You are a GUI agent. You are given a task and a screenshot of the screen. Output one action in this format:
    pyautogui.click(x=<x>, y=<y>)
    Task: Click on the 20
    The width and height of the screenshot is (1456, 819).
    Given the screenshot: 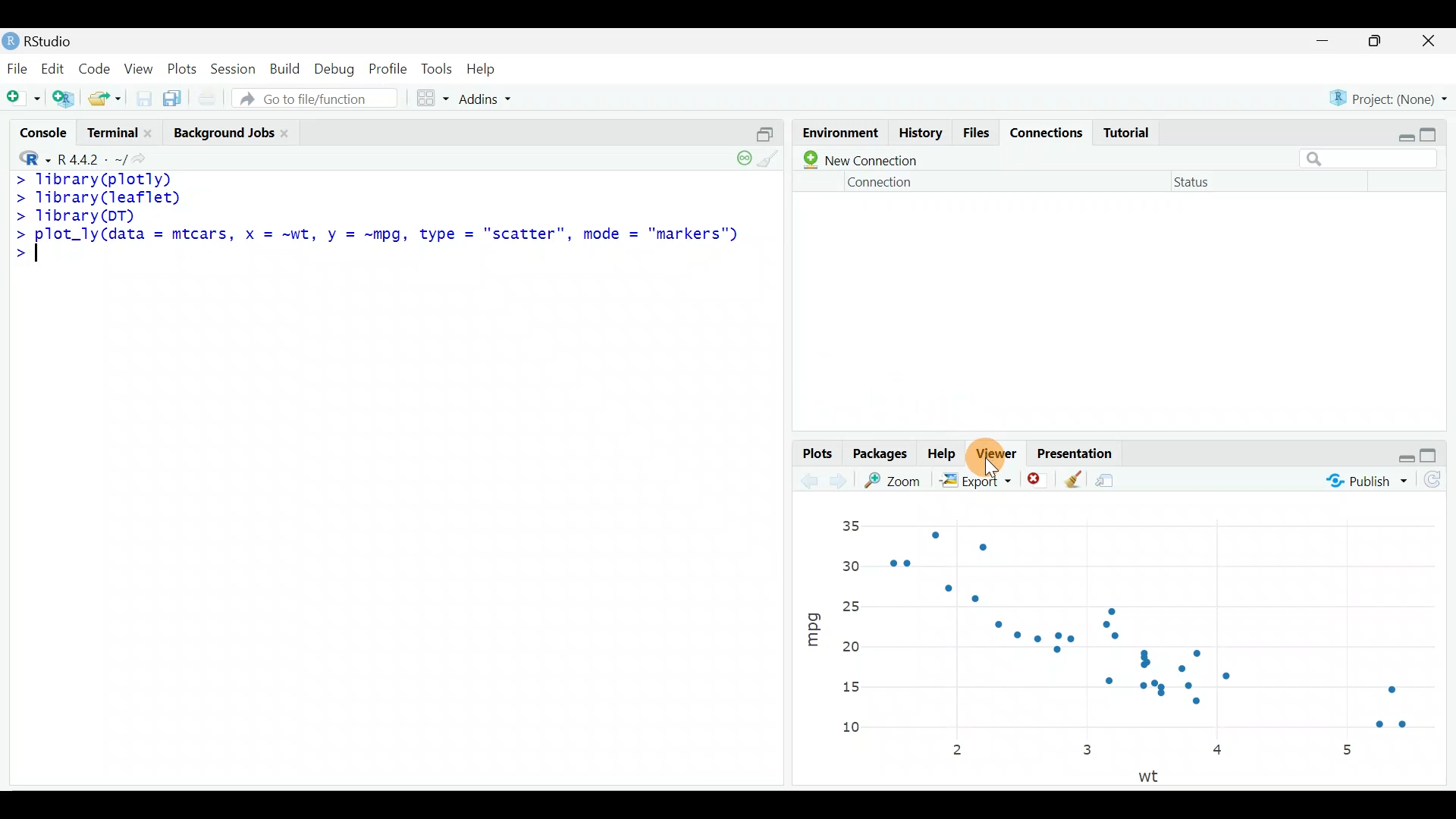 What is the action you would take?
    pyautogui.click(x=855, y=651)
    